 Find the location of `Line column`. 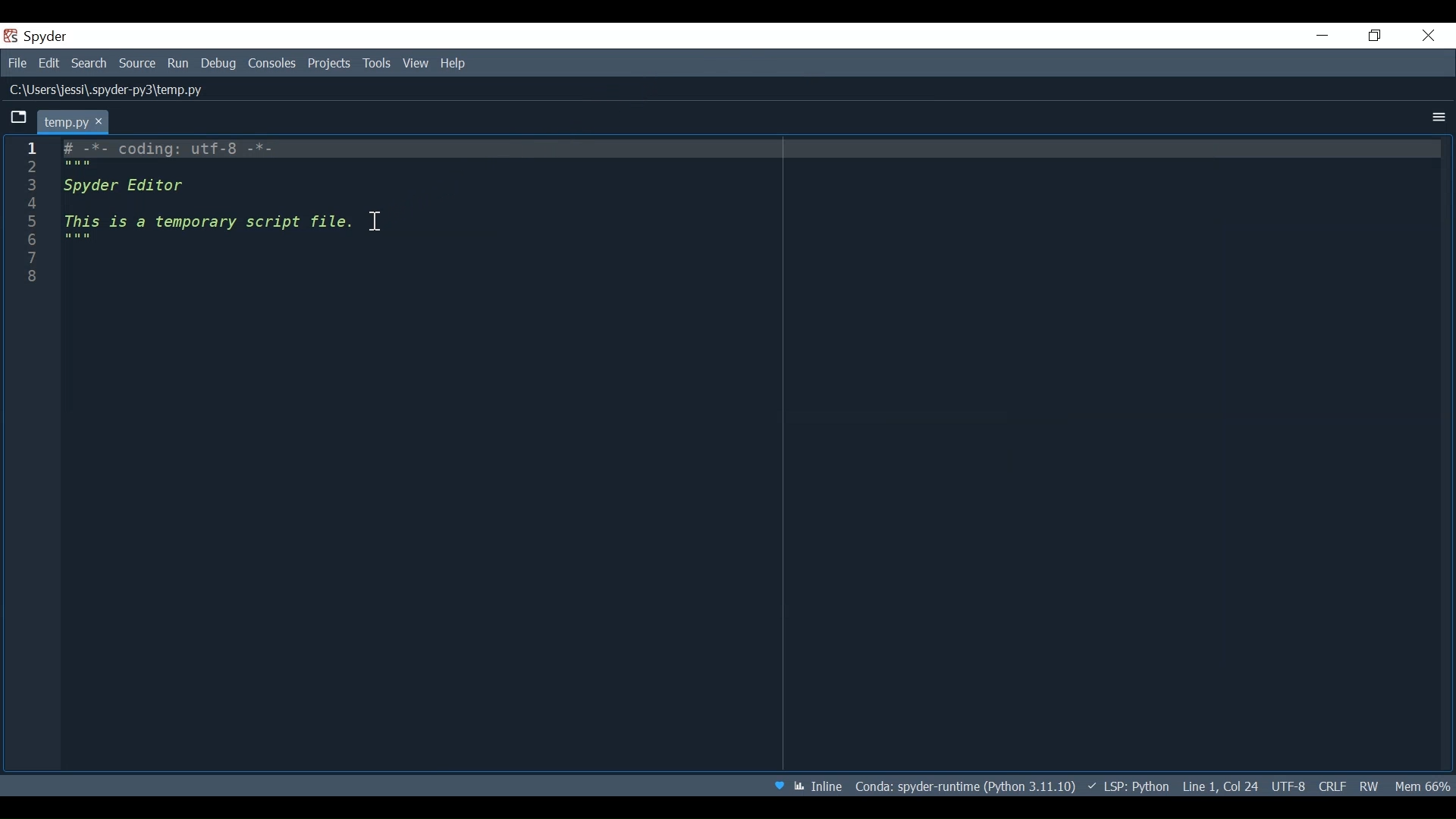

Line column is located at coordinates (30, 455).